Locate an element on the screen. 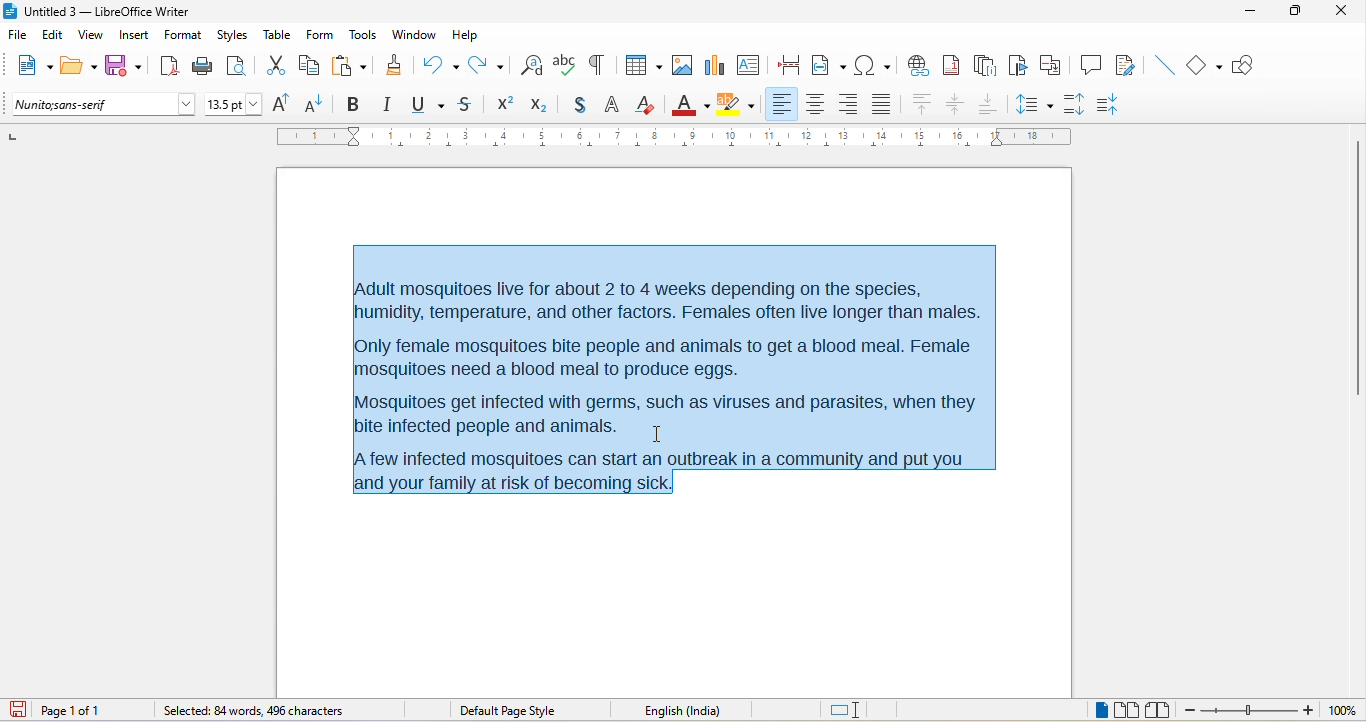 The width and height of the screenshot is (1366, 722). toggle formatting marks is located at coordinates (596, 65).